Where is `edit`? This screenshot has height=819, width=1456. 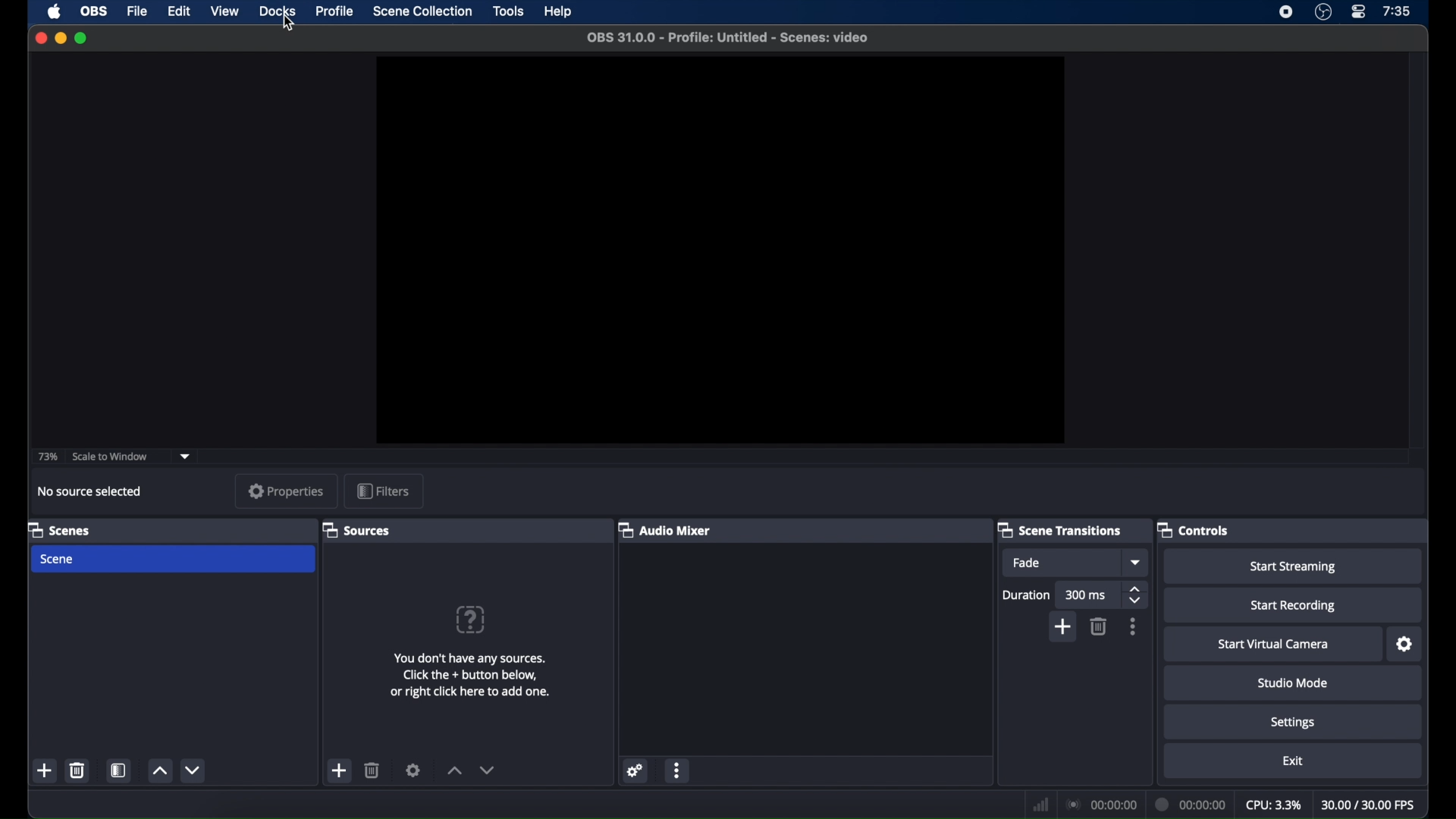 edit is located at coordinates (181, 11).